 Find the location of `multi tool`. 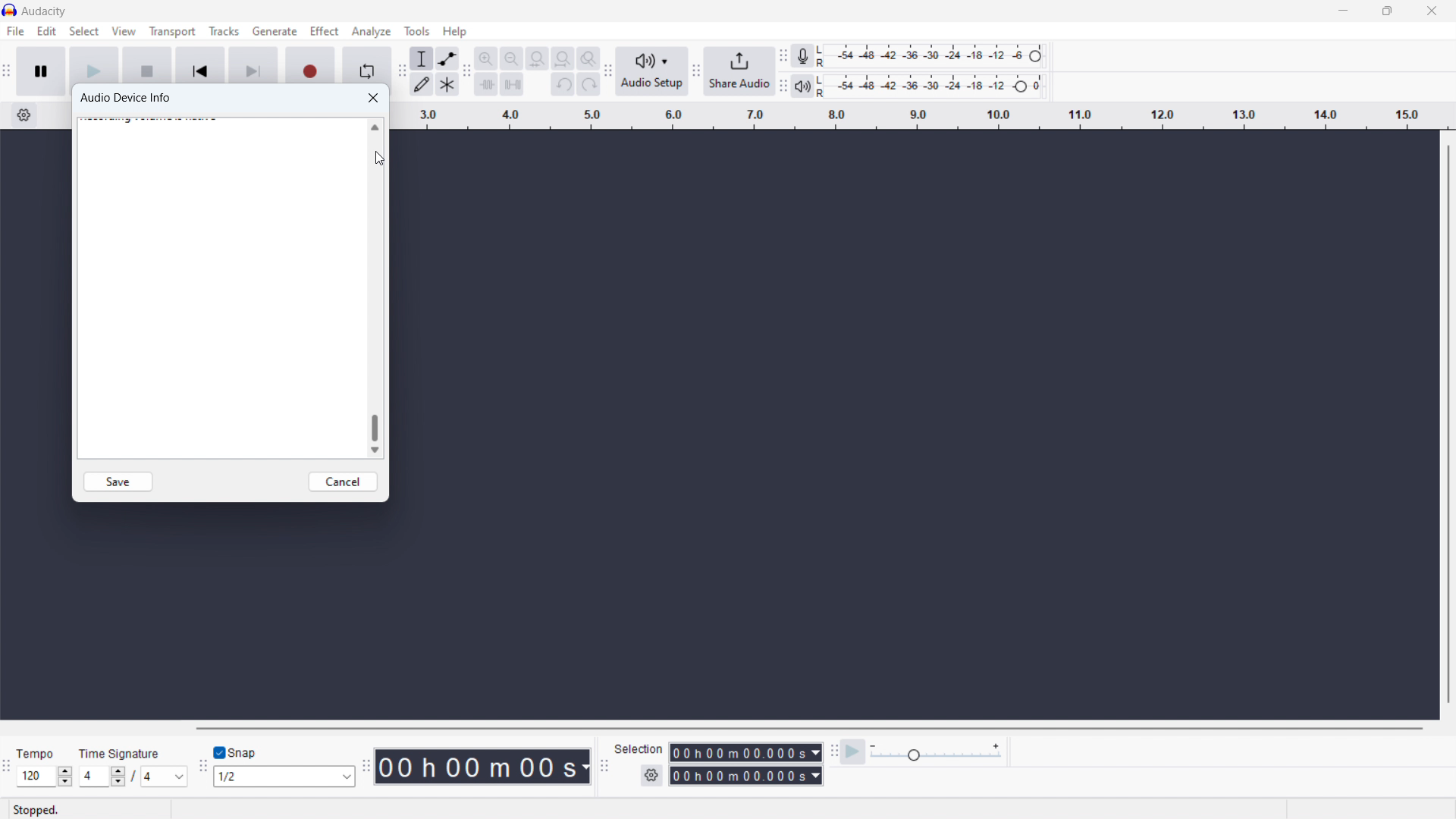

multi tool is located at coordinates (447, 83).